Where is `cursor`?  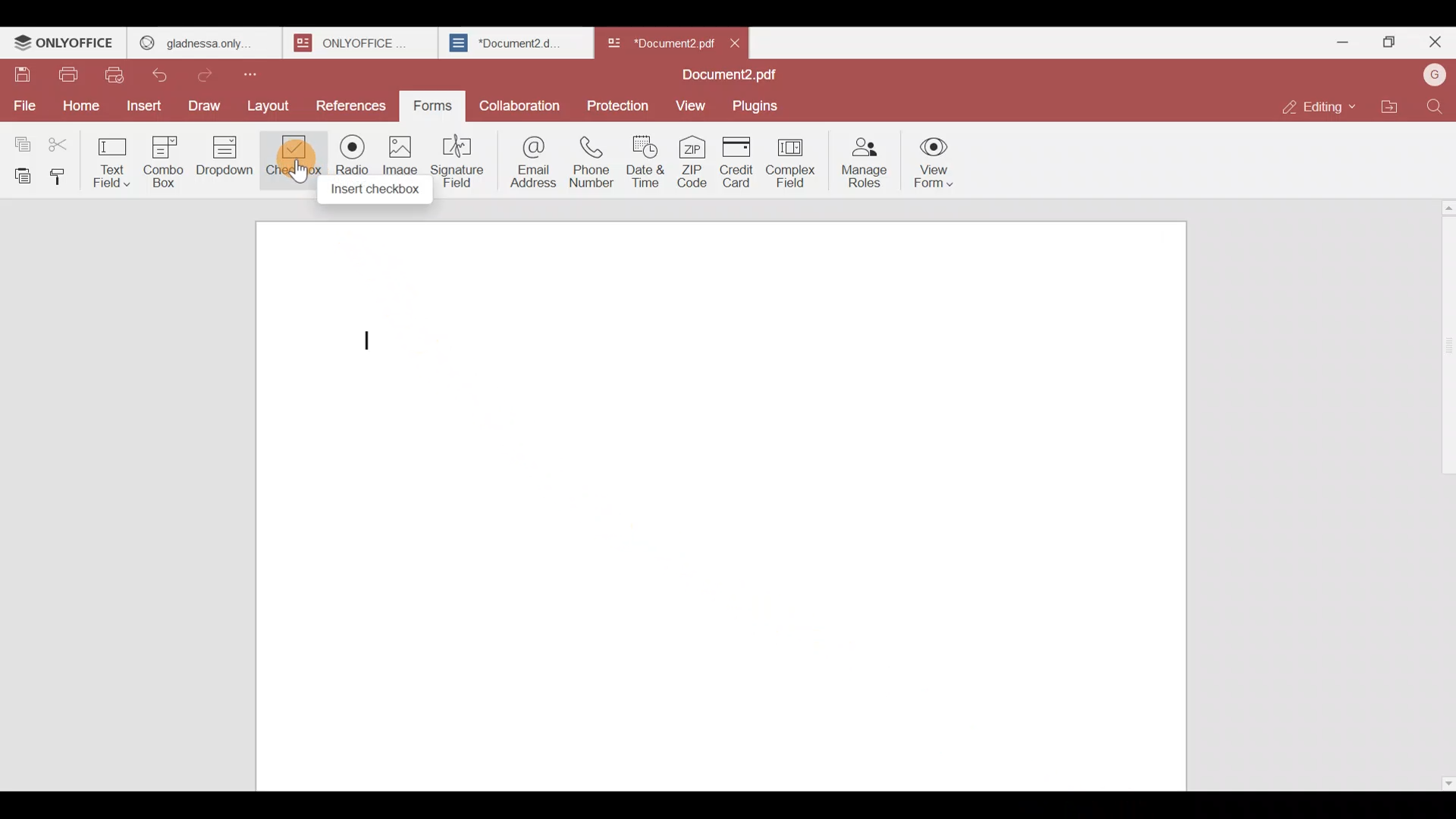 cursor is located at coordinates (299, 176).